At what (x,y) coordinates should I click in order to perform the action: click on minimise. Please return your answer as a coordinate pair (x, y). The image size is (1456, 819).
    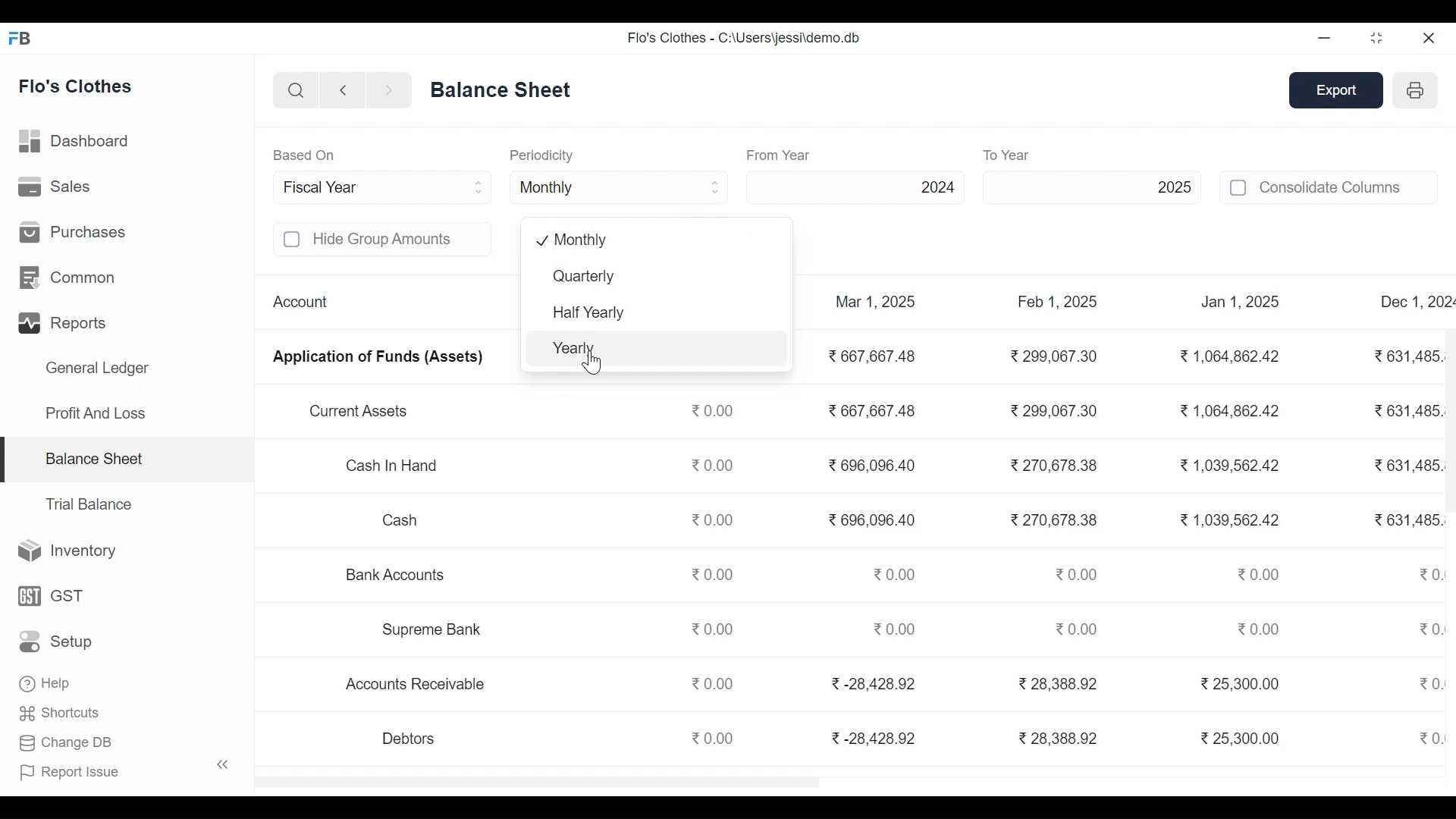
    Looking at the image, I should click on (1326, 37).